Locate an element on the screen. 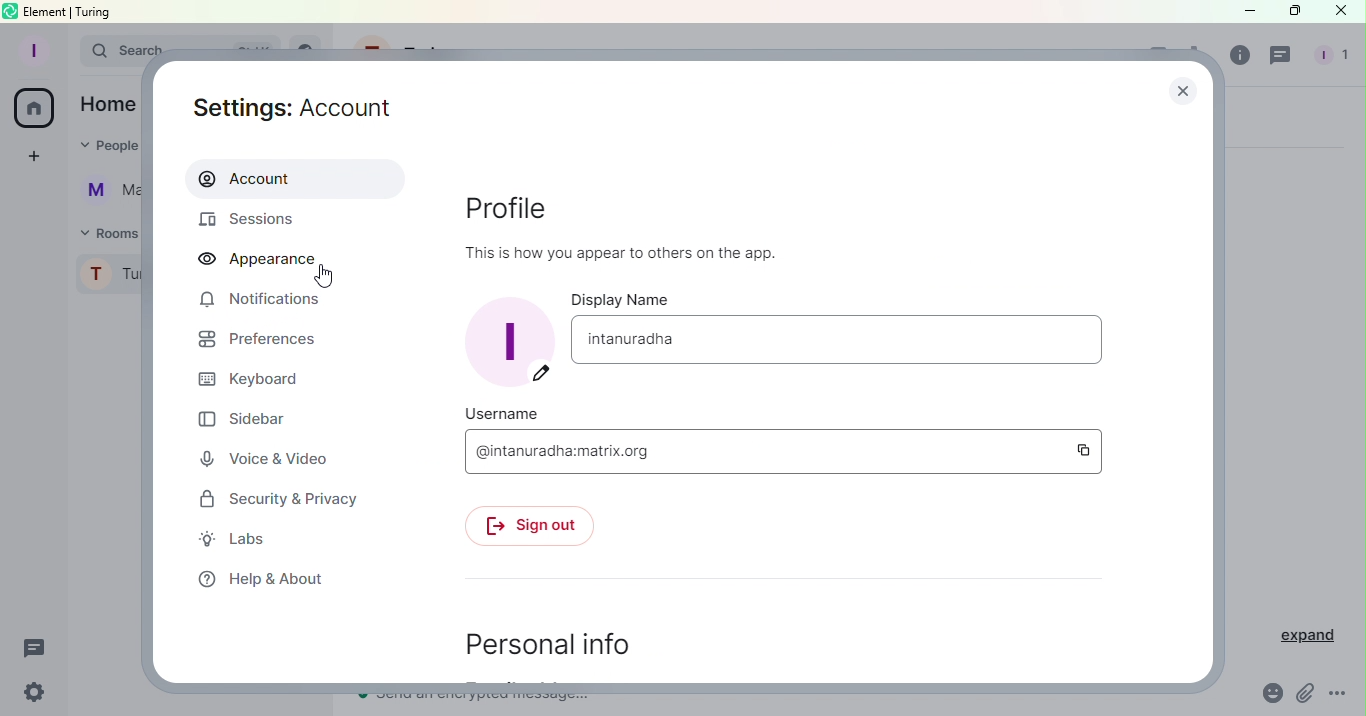 The image size is (1366, 716). element is located at coordinates (46, 11).